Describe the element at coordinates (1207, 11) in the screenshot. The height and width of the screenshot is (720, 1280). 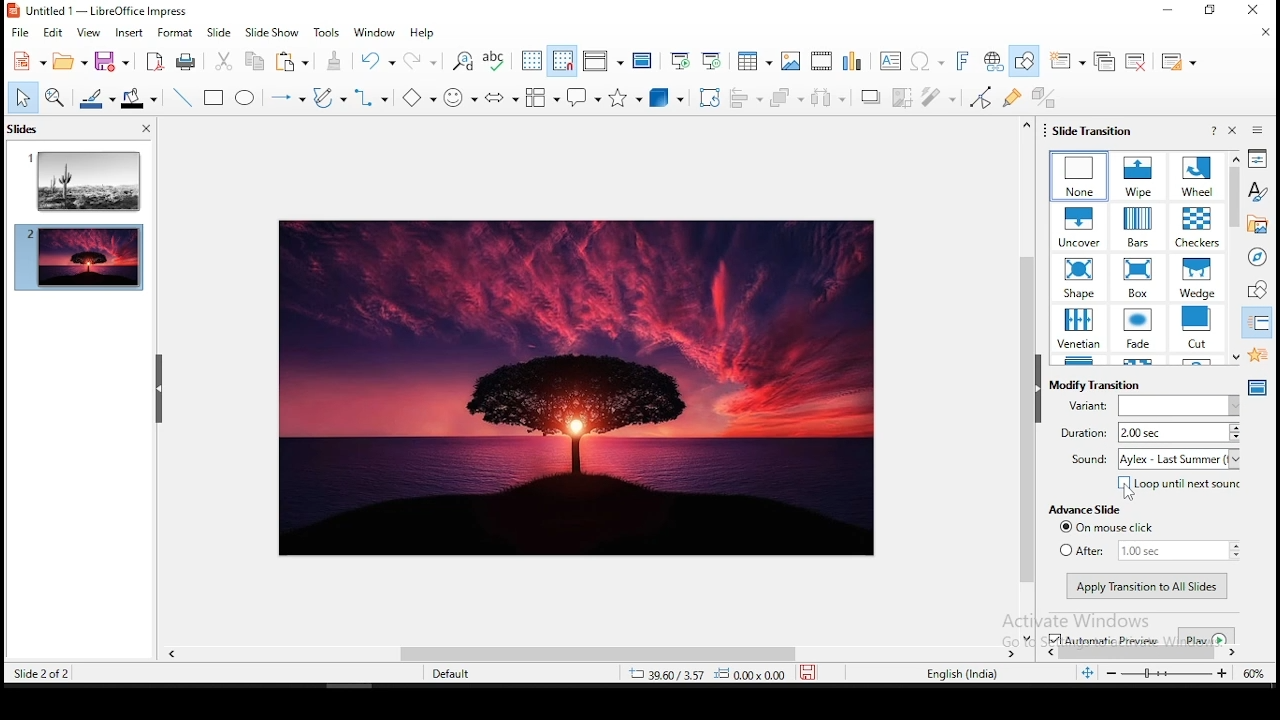
I see `restore` at that location.